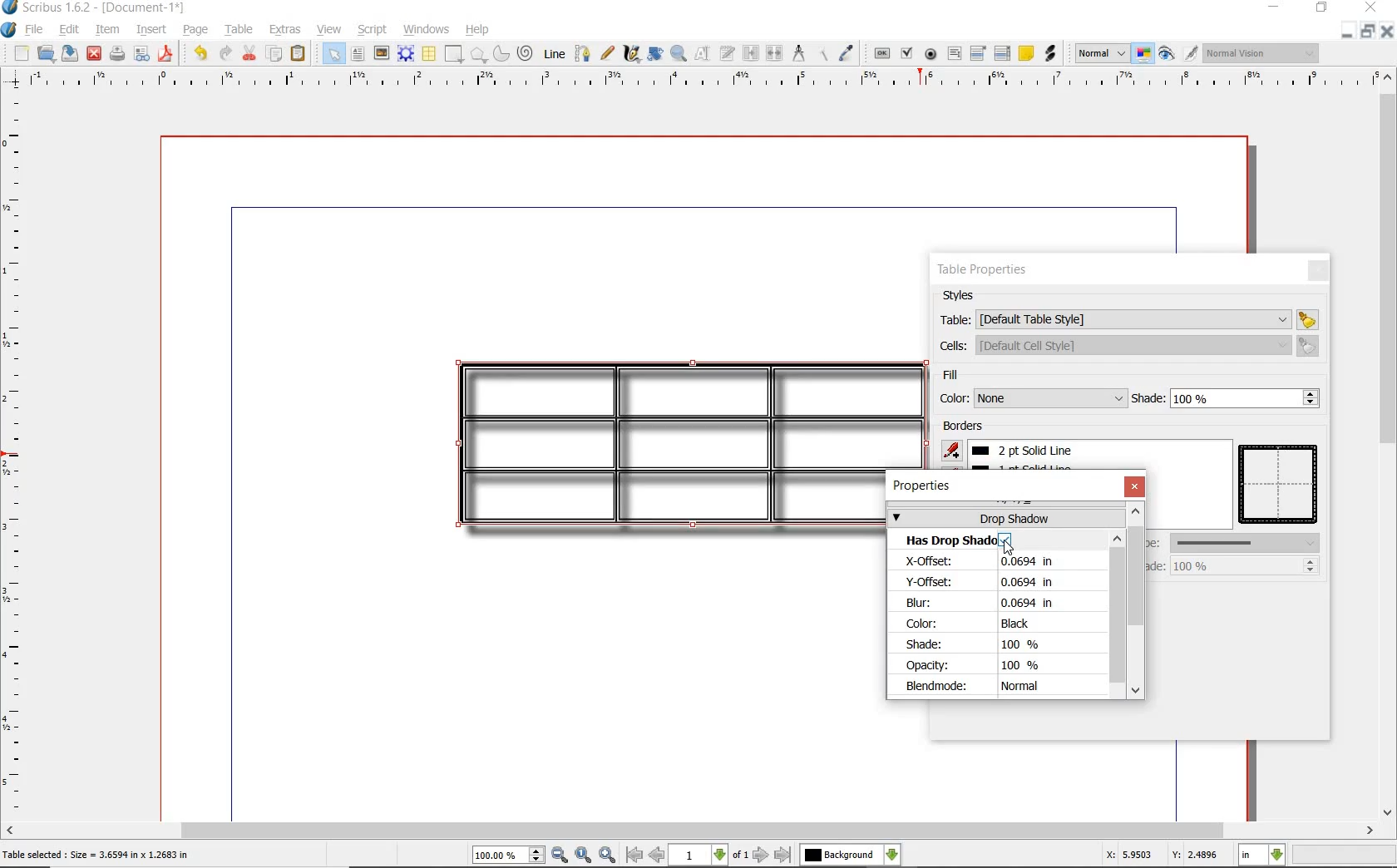 The width and height of the screenshot is (1397, 868). I want to click on measurements, so click(799, 52).